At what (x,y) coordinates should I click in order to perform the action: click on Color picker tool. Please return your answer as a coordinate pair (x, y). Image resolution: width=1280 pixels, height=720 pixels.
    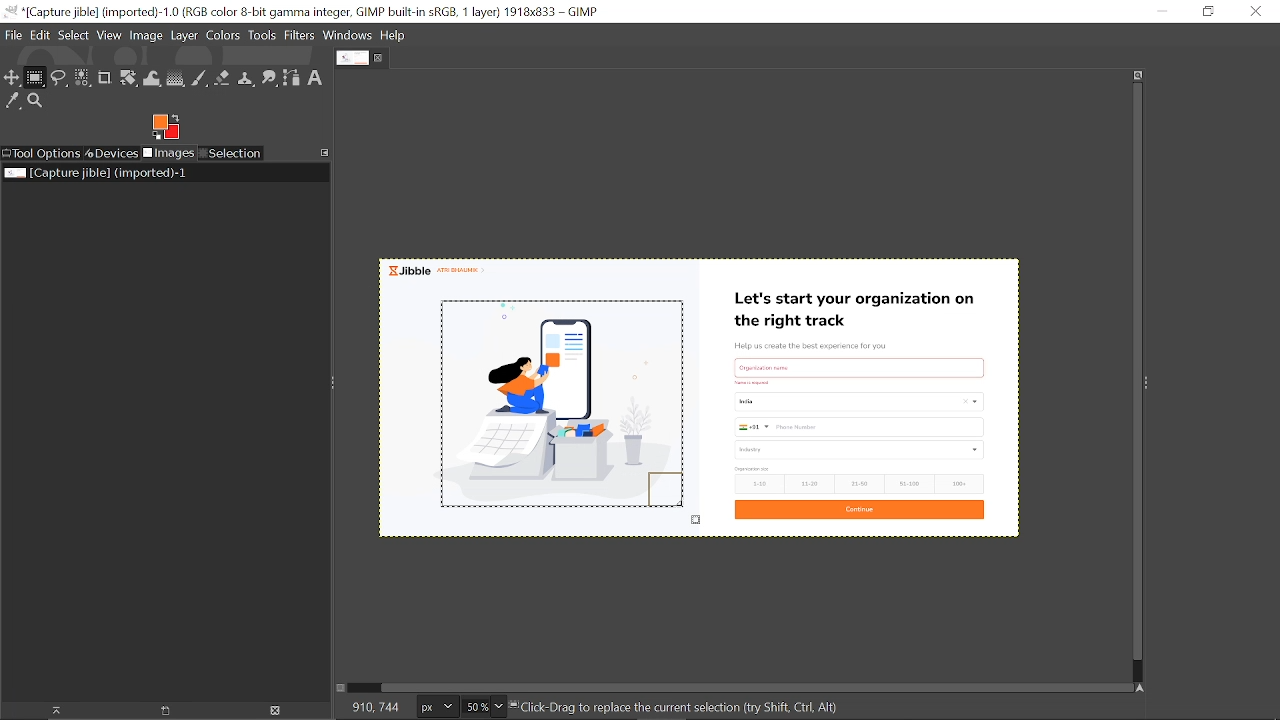
    Looking at the image, I should click on (13, 102).